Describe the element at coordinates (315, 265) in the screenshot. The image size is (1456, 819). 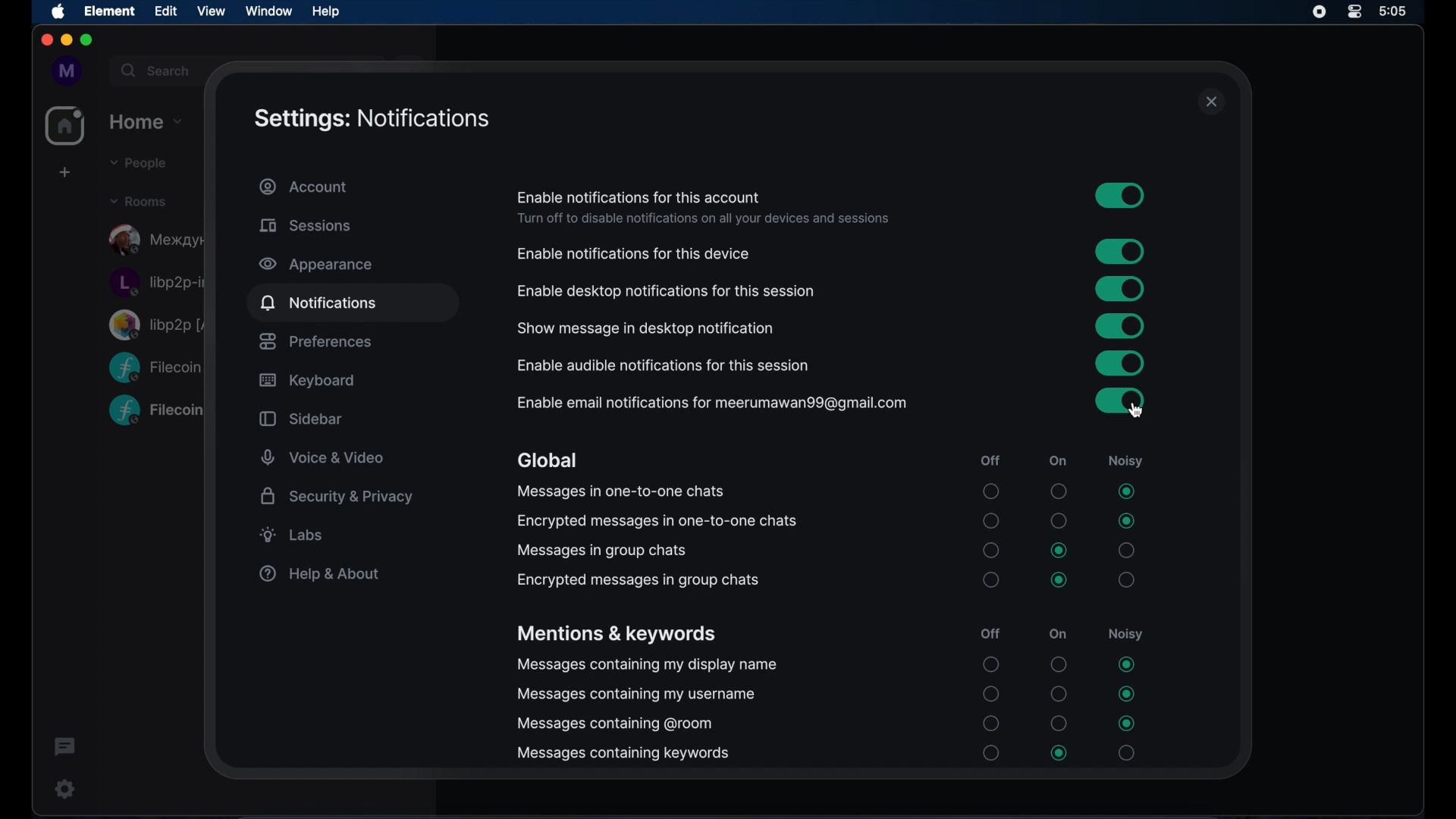
I see `appearance` at that location.